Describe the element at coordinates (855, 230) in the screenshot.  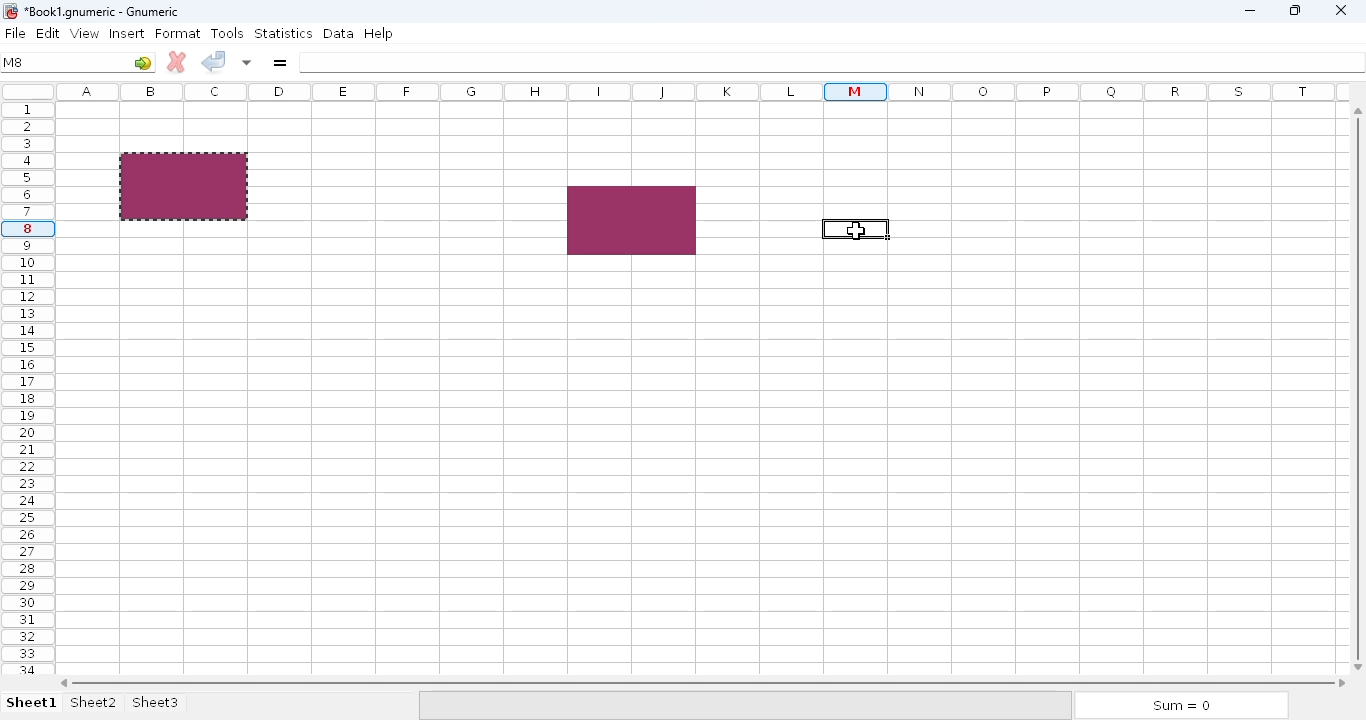
I see `cursor` at that location.